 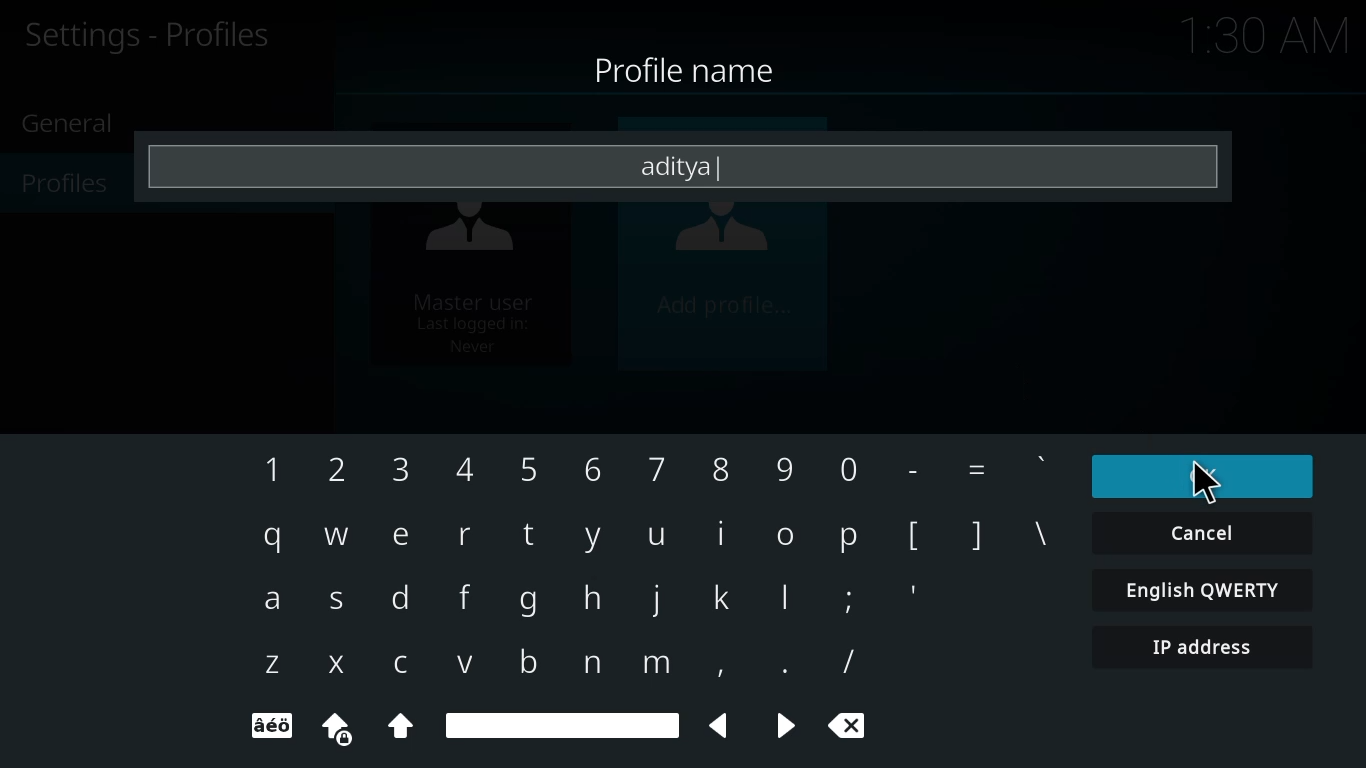 I want to click on j, so click(x=660, y=600).